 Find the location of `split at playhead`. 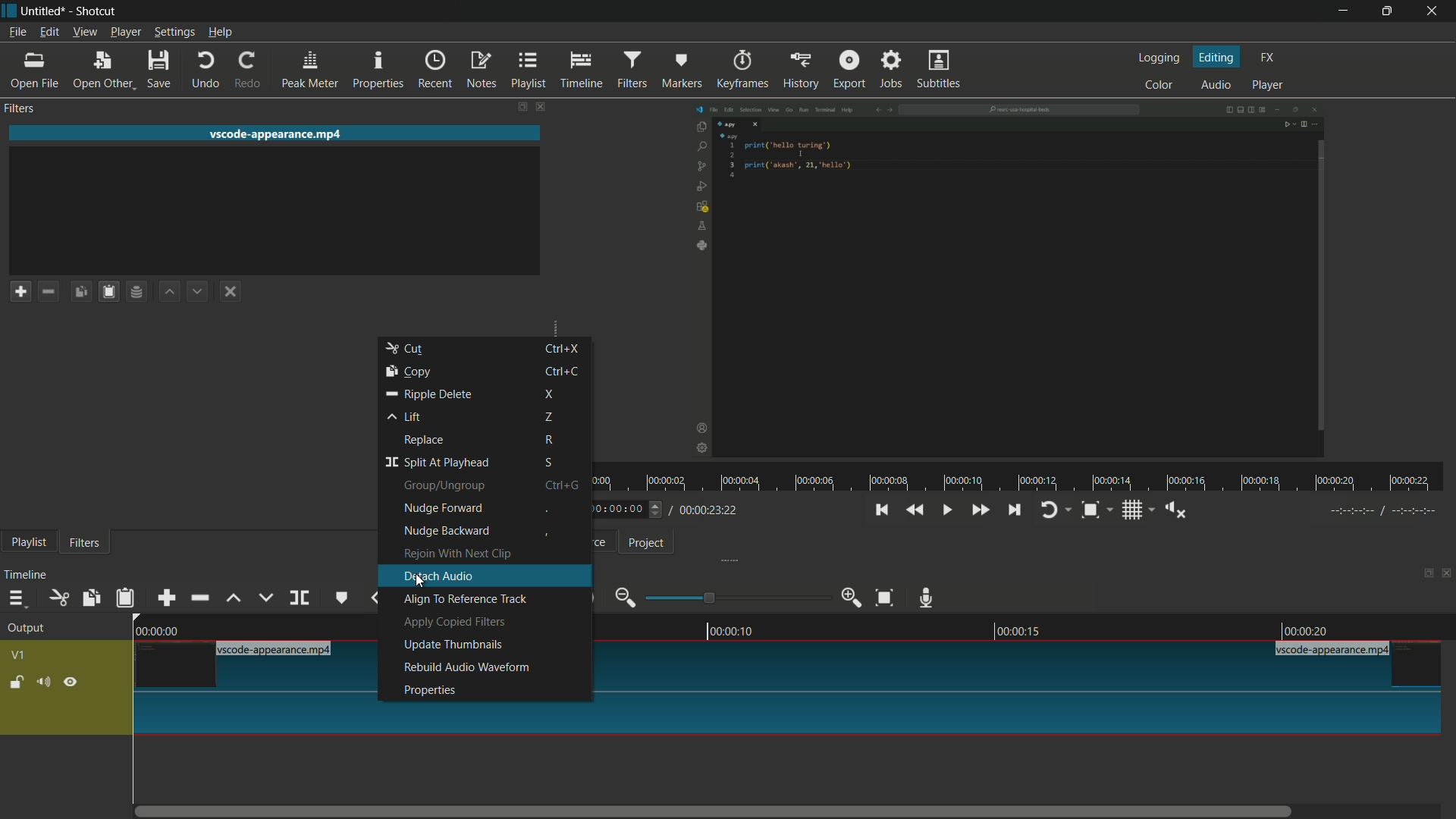

split at playhead is located at coordinates (301, 598).